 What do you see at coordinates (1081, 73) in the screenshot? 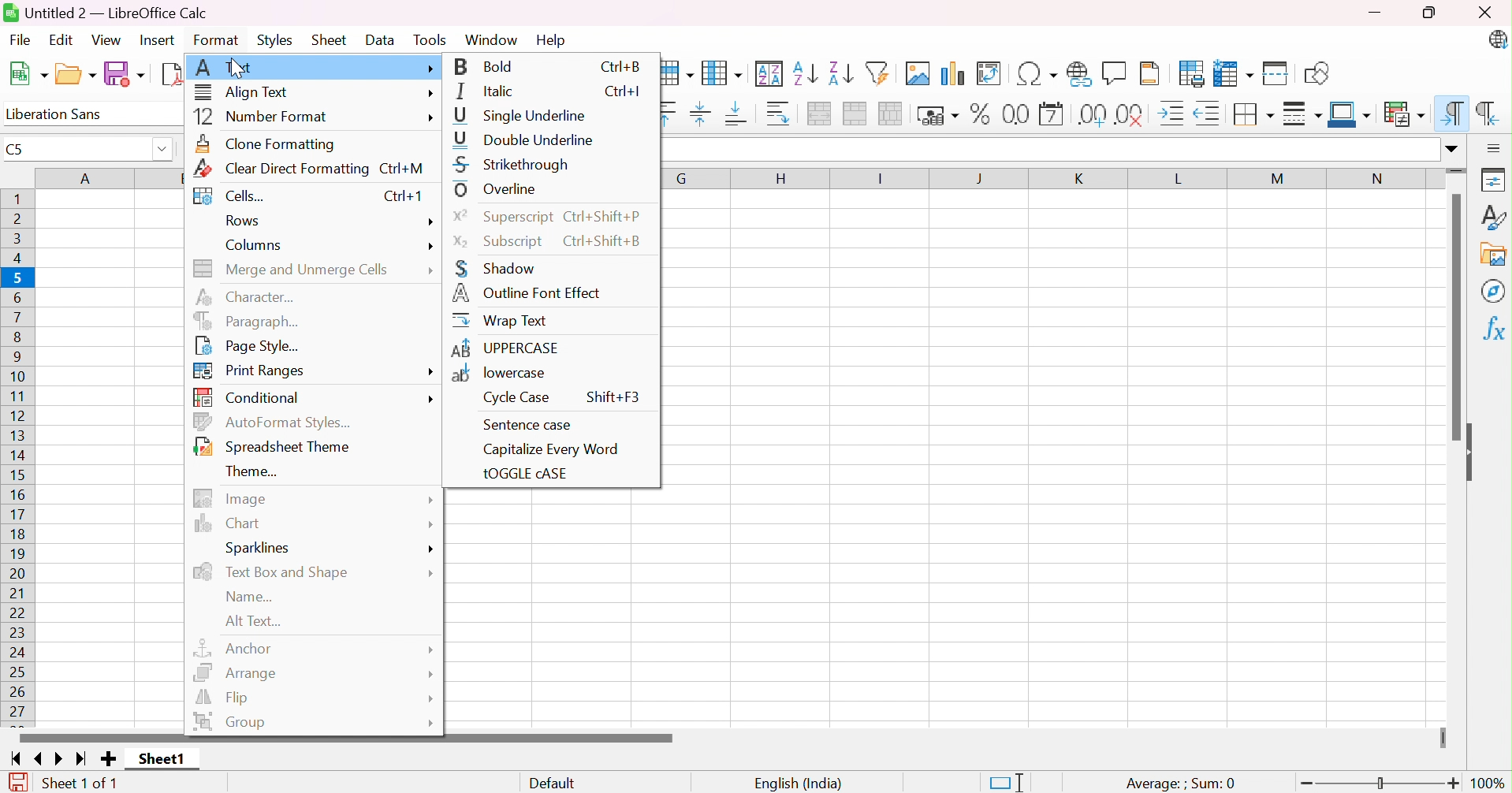
I see `Insert Hyperlink` at bounding box center [1081, 73].